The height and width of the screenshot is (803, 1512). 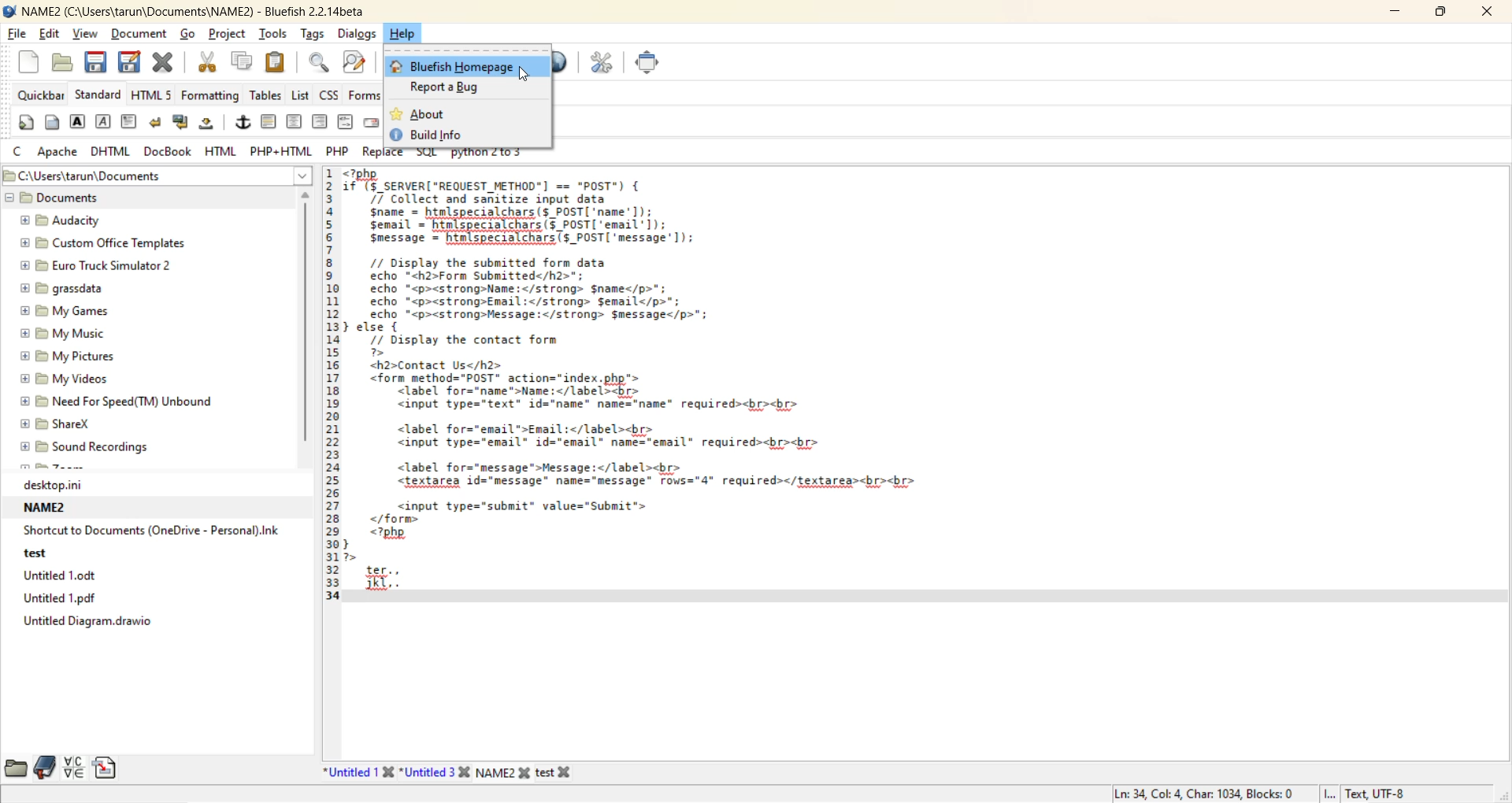 What do you see at coordinates (41, 557) in the screenshot?
I see `test` at bounding box center [41, 557].